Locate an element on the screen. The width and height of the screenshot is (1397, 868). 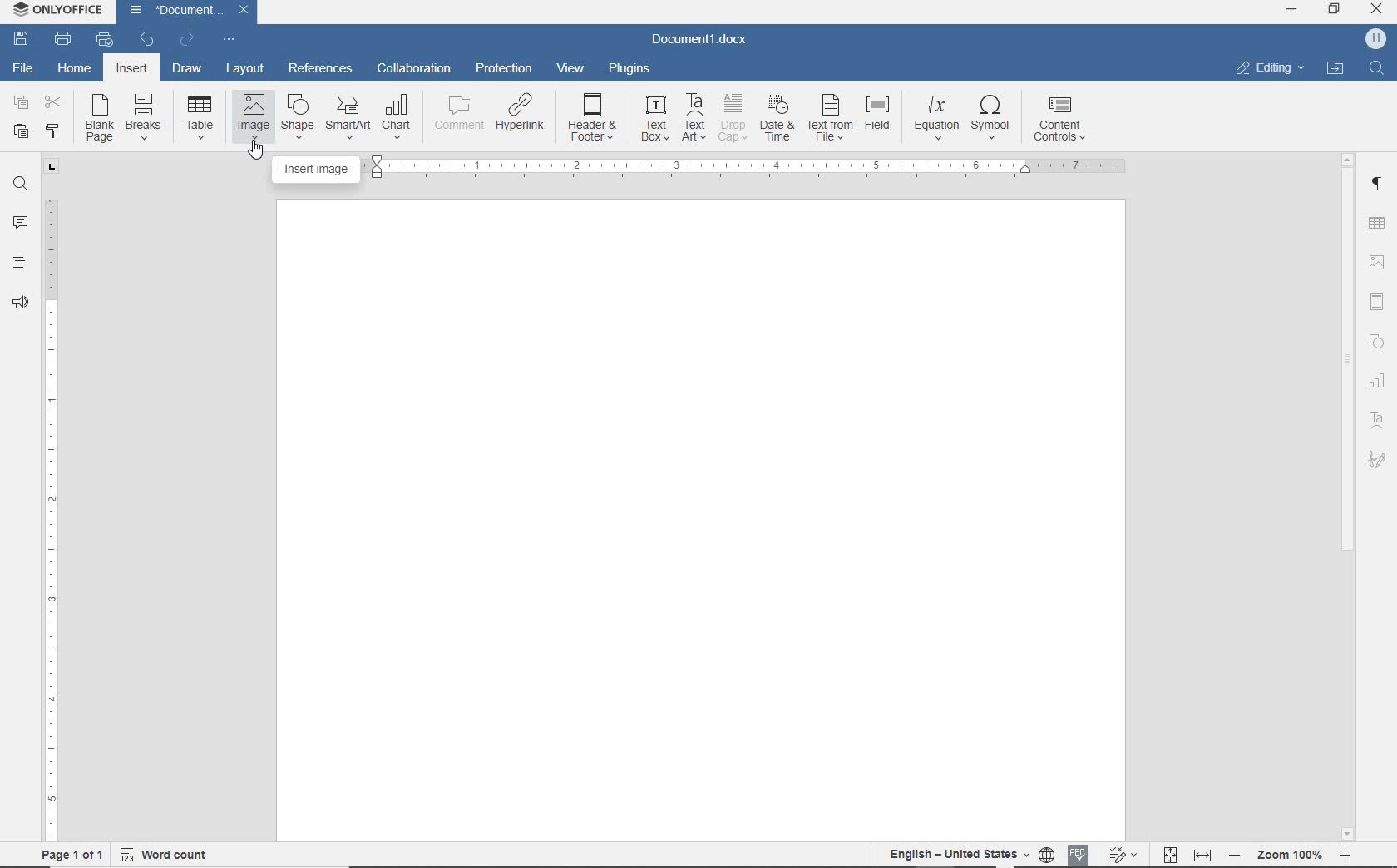
H (user account) is located at coordinates (1376, 38).